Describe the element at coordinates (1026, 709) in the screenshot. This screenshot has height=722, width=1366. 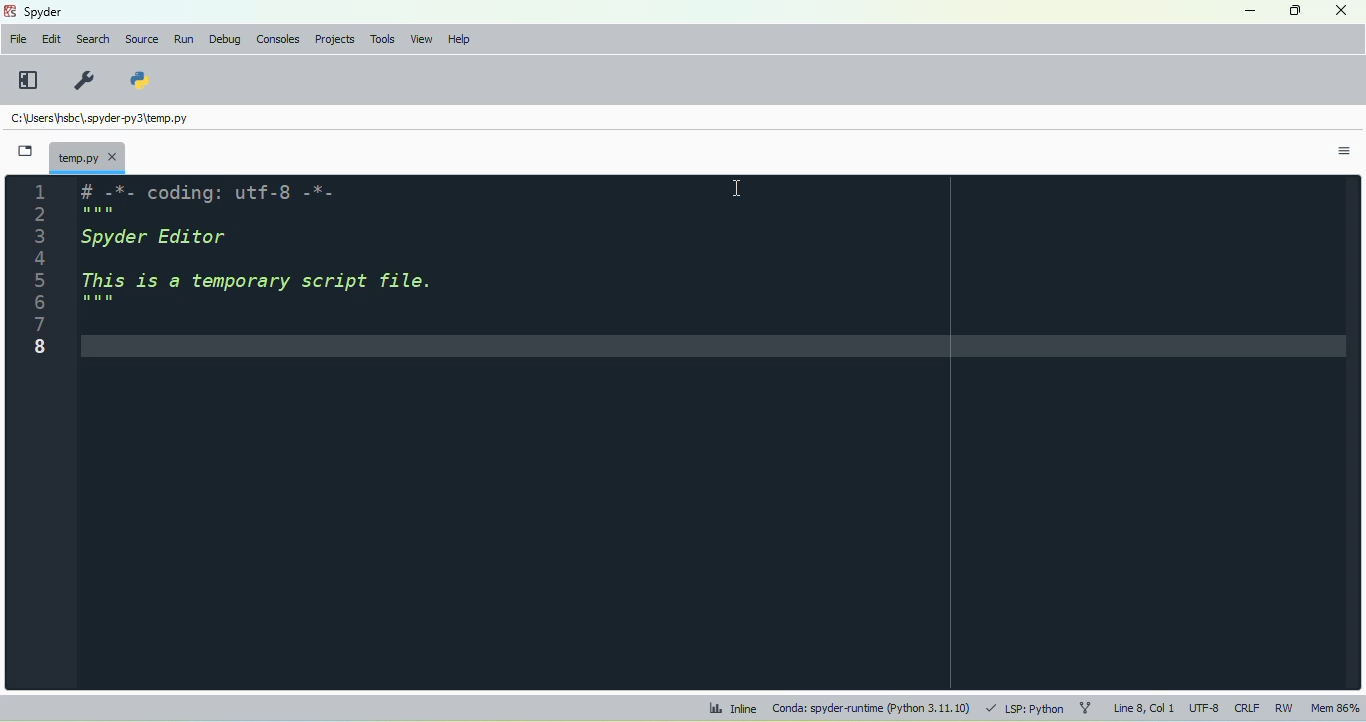
I see `LSP: python` at that location.